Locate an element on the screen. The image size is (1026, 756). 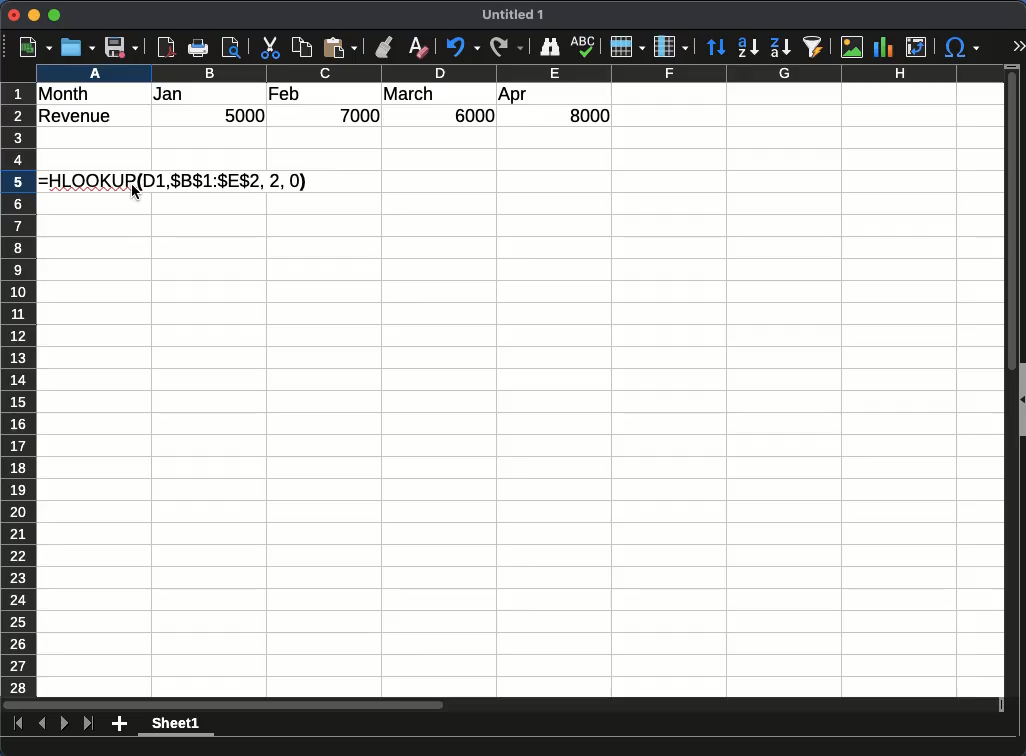
jan is located at coordinates (169, 94).